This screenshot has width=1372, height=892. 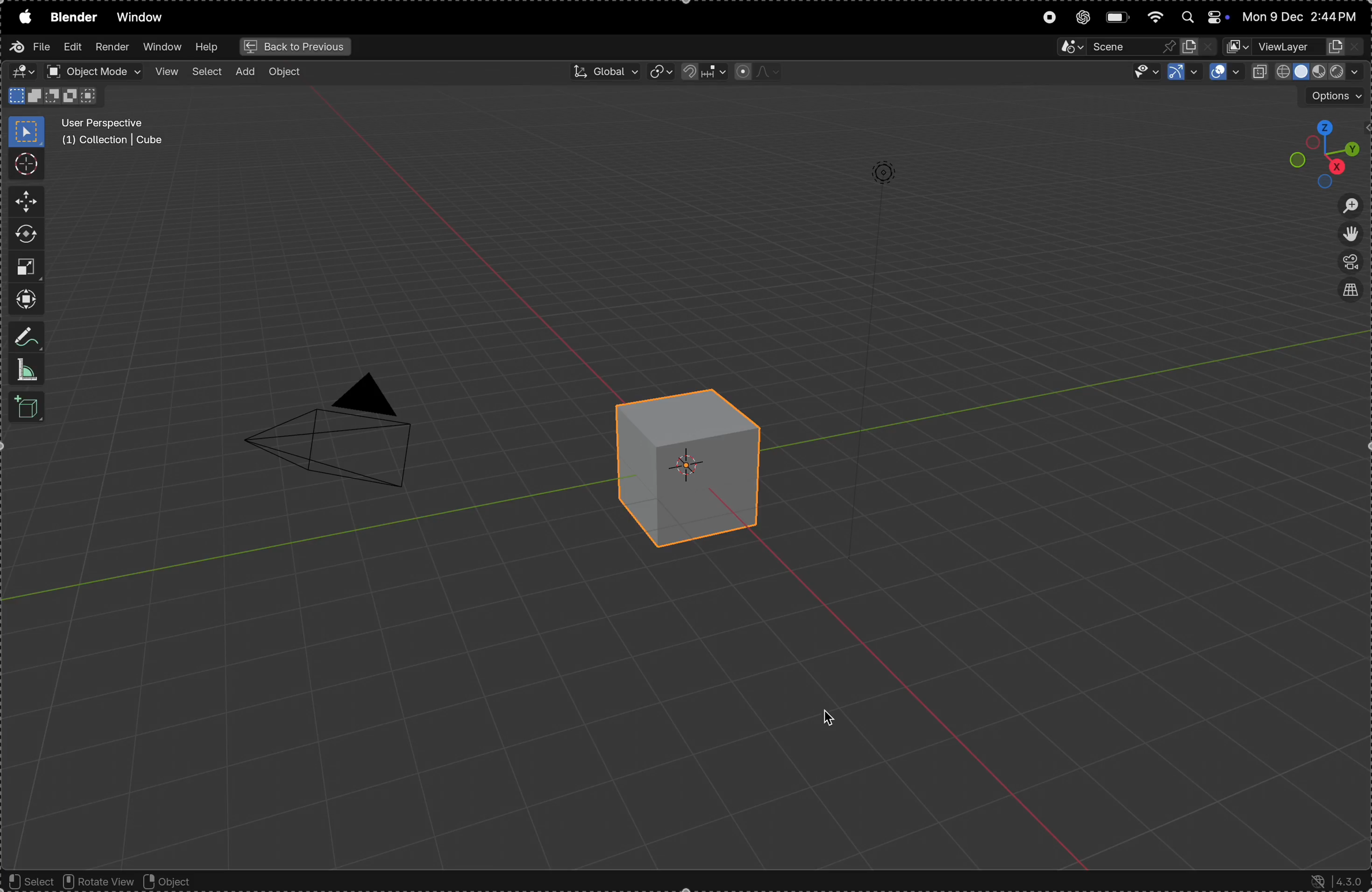 I want to click on select, so click(x=209, y=72).